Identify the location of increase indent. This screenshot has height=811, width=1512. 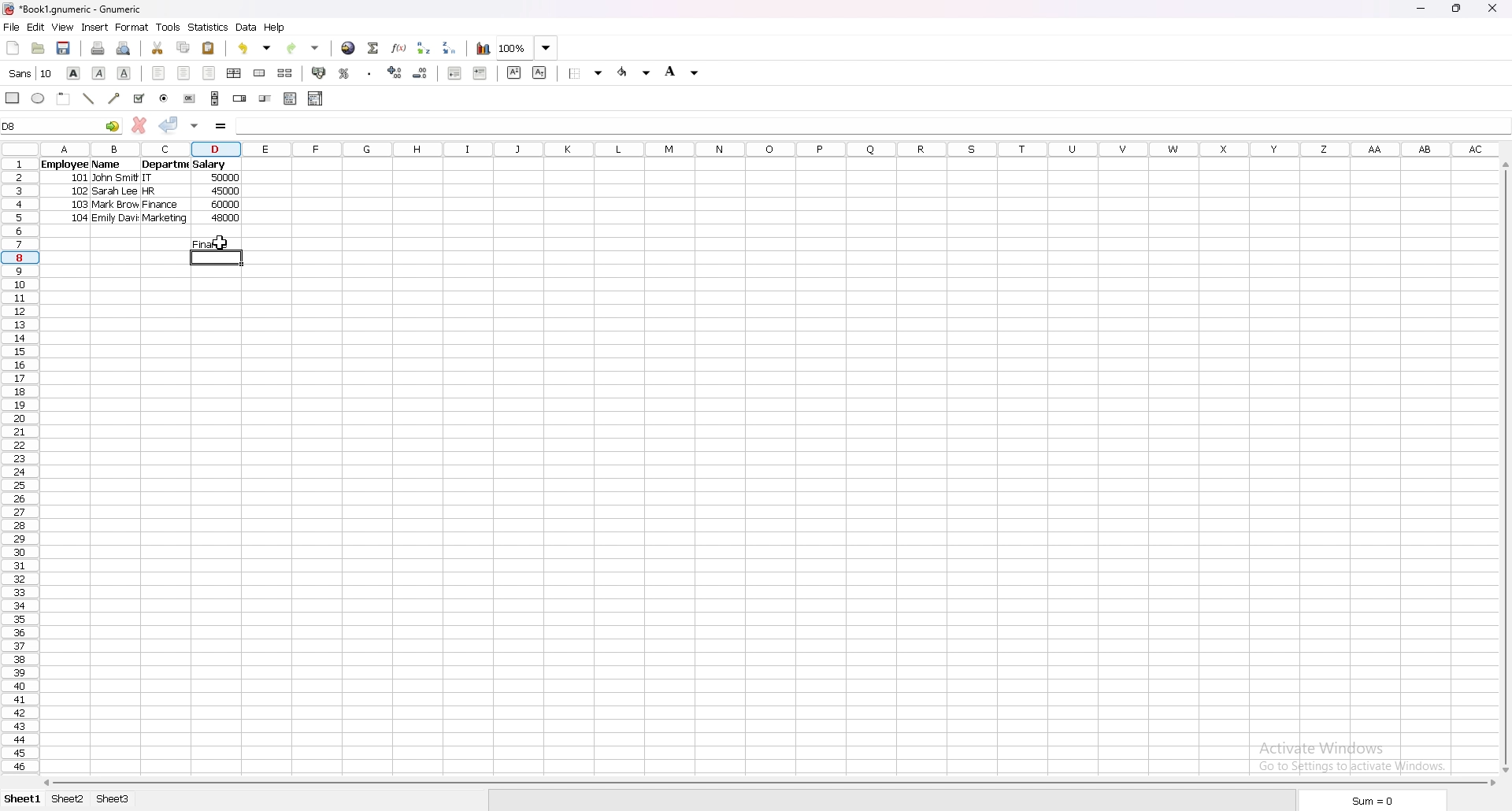
(480, 72).